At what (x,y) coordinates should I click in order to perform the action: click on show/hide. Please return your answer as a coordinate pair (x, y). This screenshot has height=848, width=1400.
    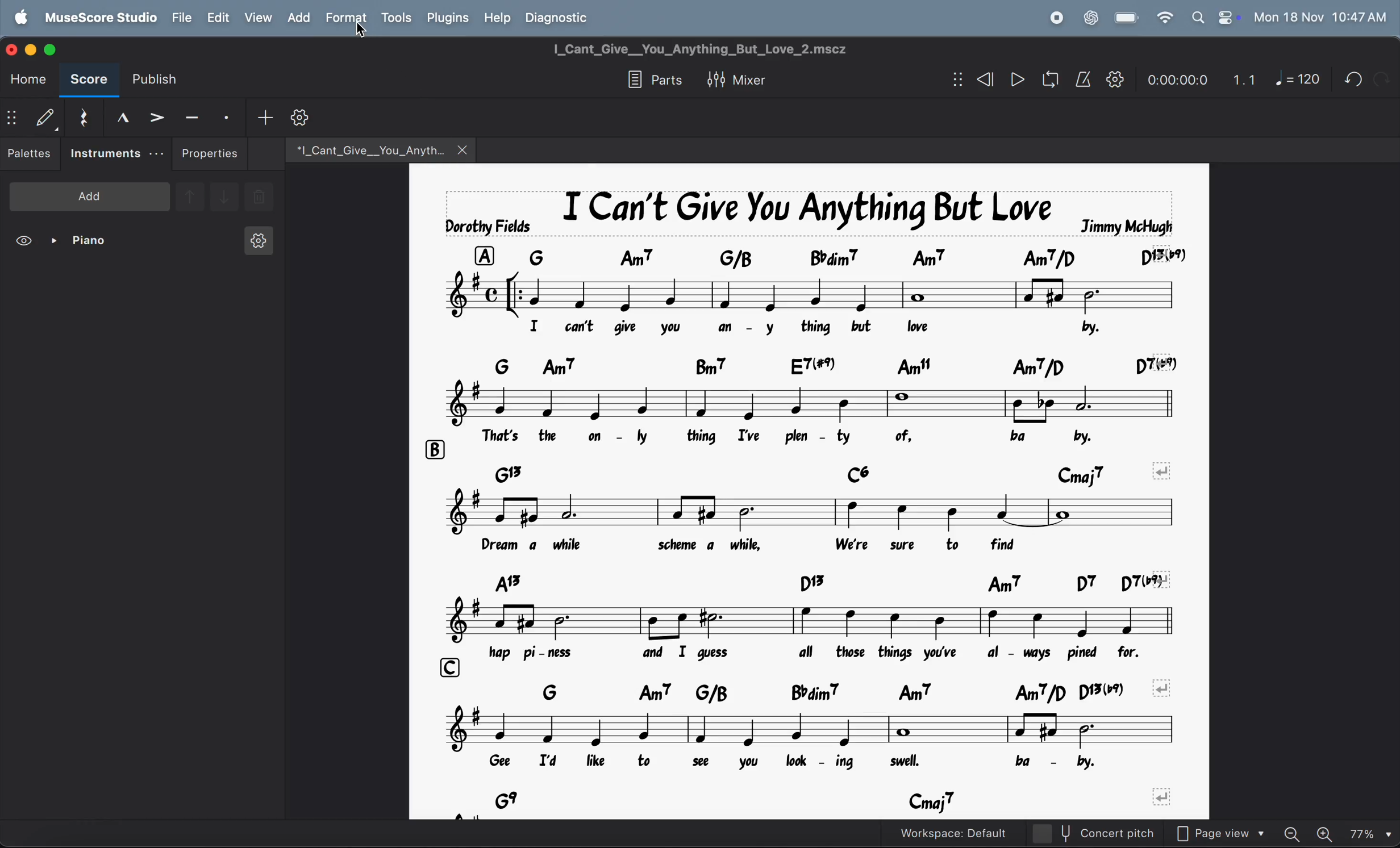
    Looking at the image, I should click on (955, 80).